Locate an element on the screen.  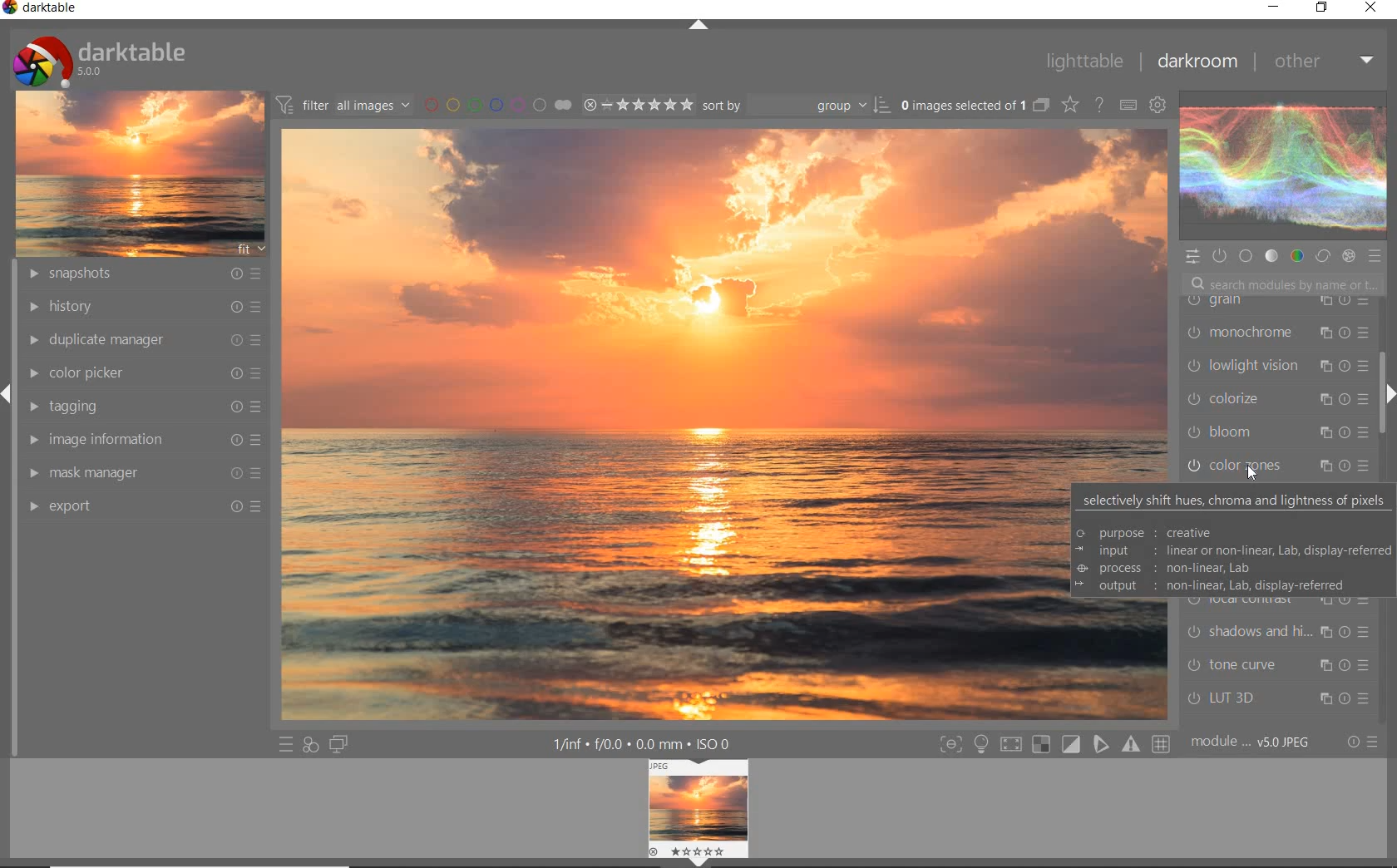
QUICK ACCESS FOR APPLYING ANY OF YOUR STYLE is located at coordinates (309, 746).